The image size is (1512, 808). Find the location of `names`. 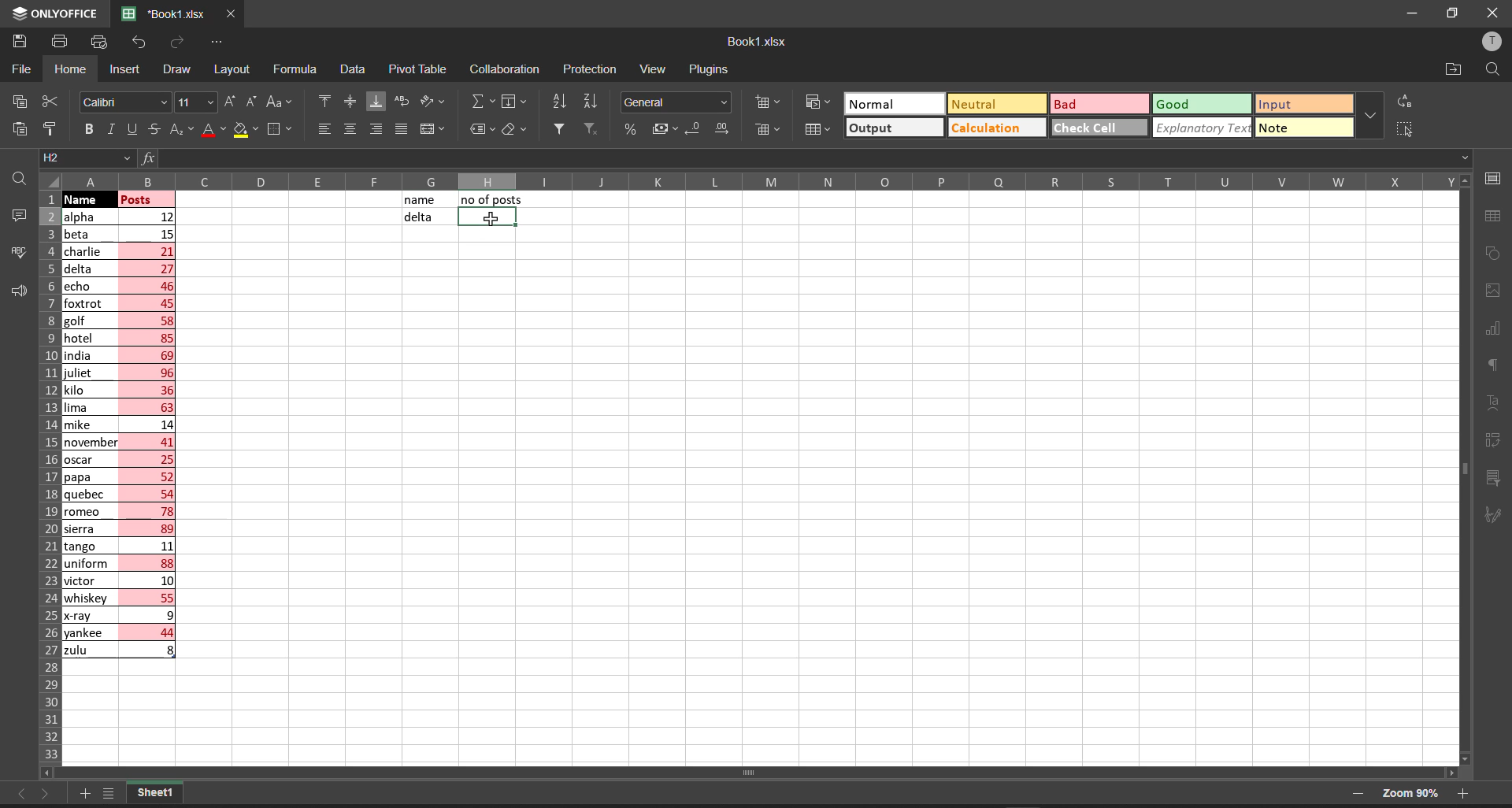

names is located at coordinates (87, 433).